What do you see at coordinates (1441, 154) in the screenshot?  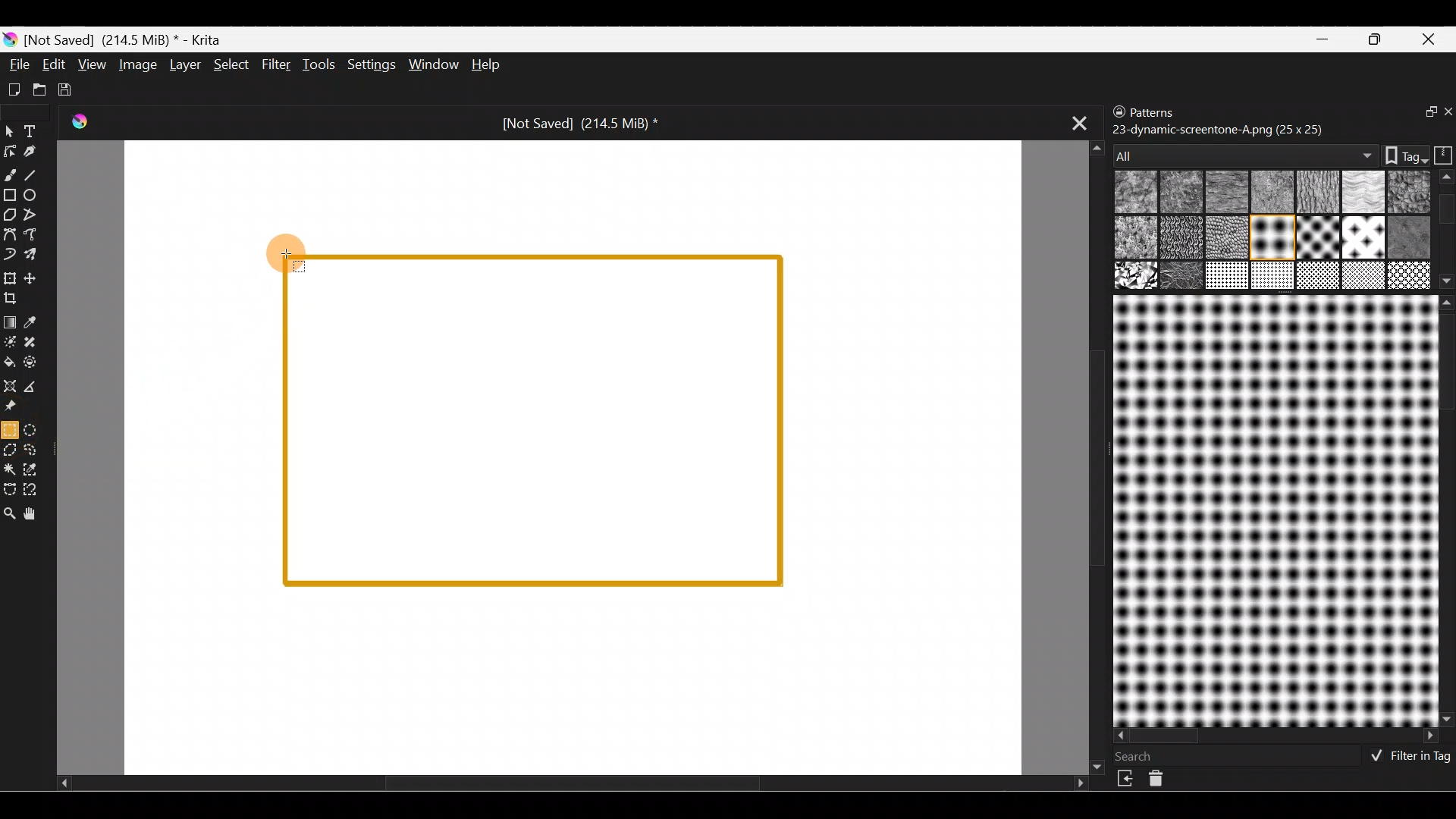 I see `Storage resources` at bounding box center [1441, 154].